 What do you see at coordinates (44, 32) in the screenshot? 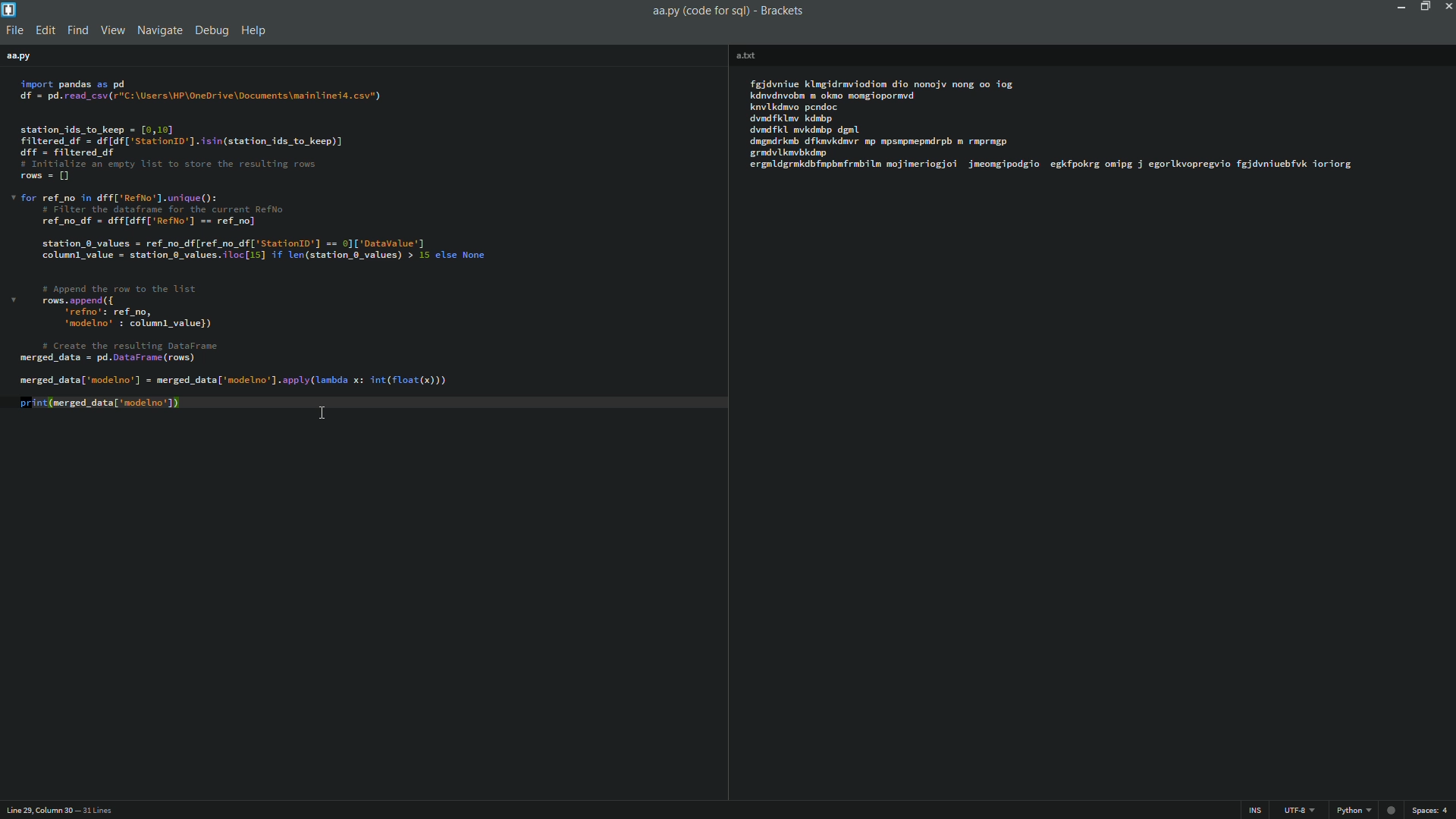
I see `edit menu` at bounding box center [44, 32].